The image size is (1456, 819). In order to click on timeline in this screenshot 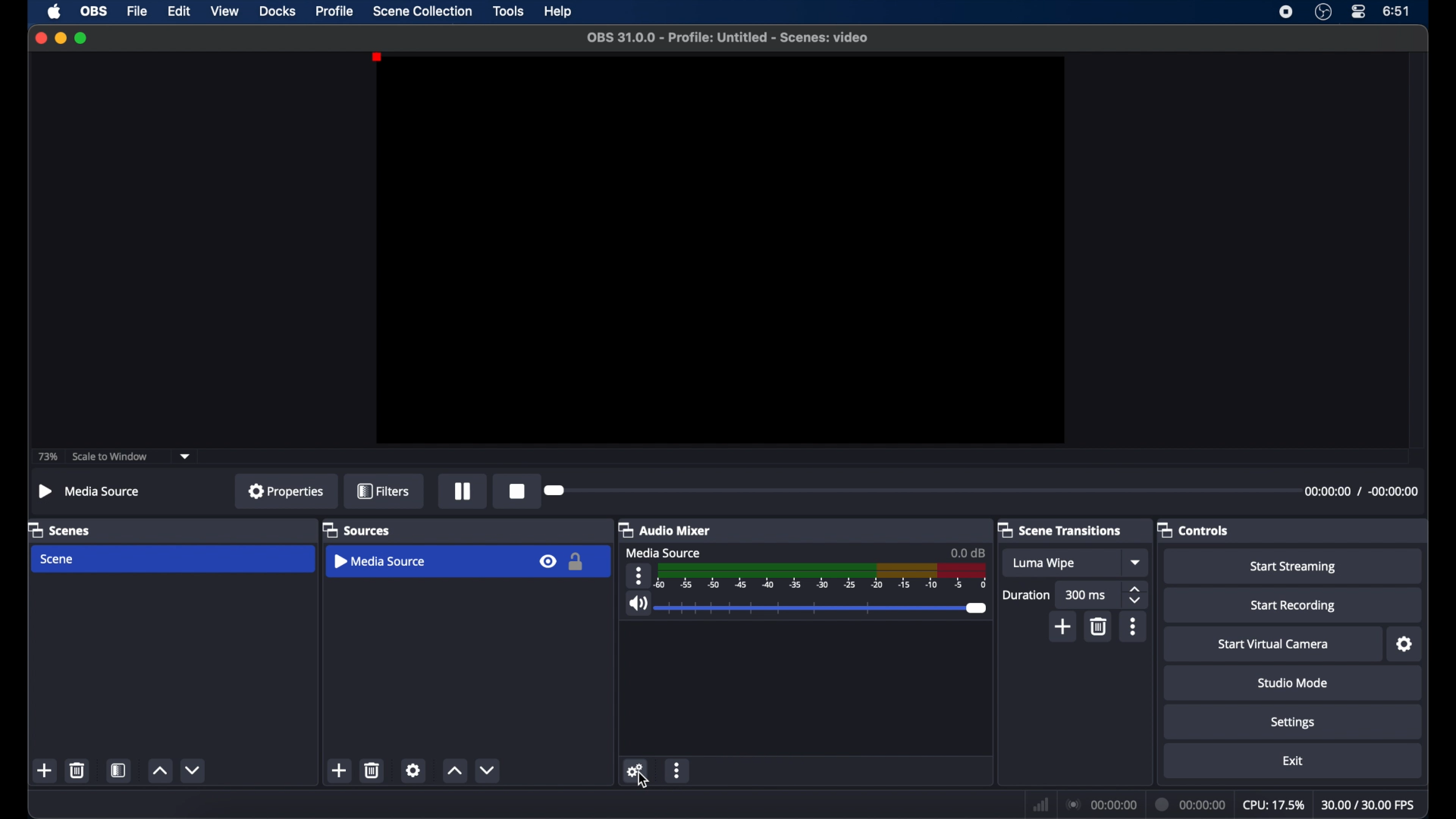, I will do `click(822, 576)`.